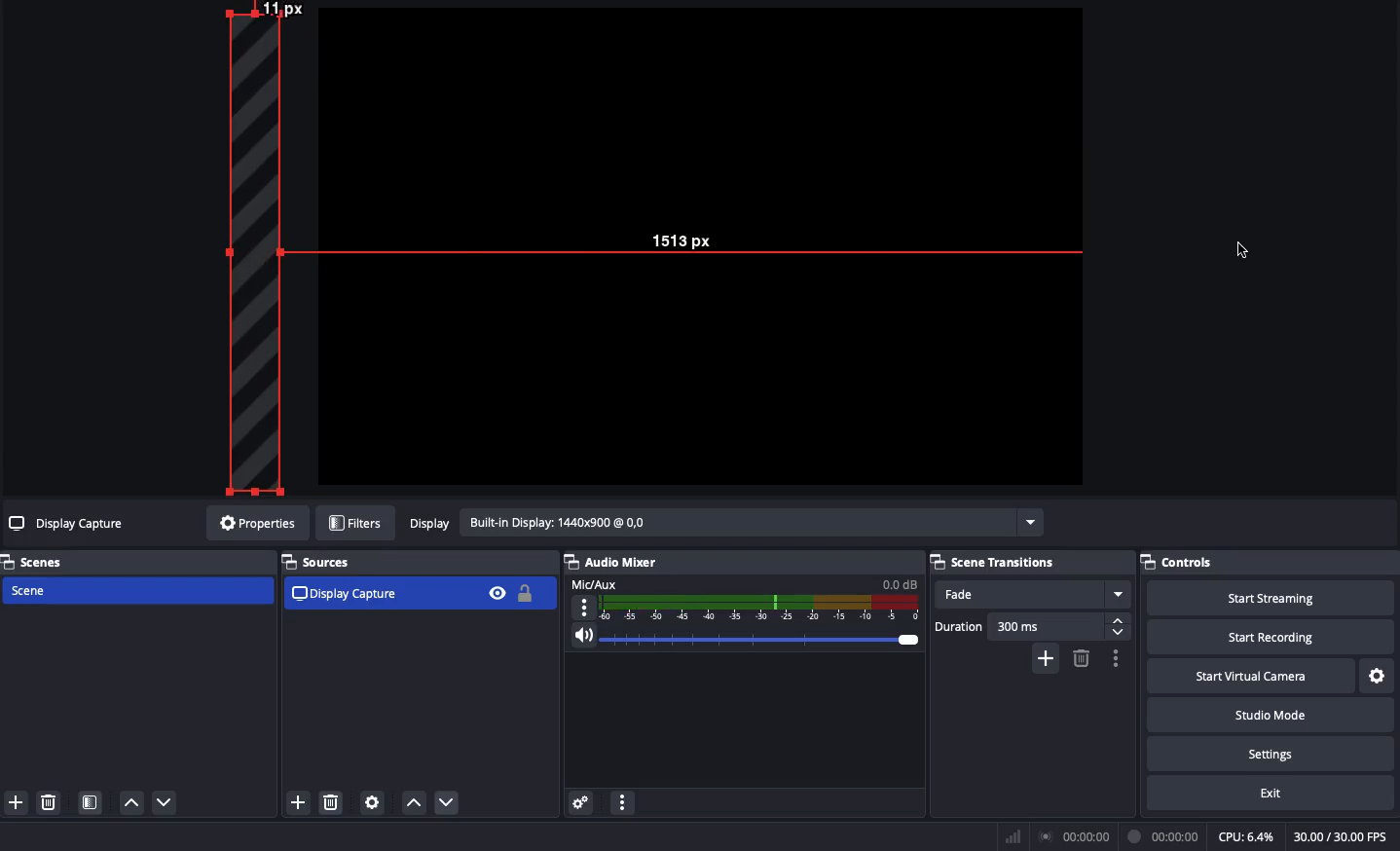 The width and height of the screenshot is (1400, 851). Describe the element at coordinates (682, 243) in the screenshot. I see `1513 px` at that location.